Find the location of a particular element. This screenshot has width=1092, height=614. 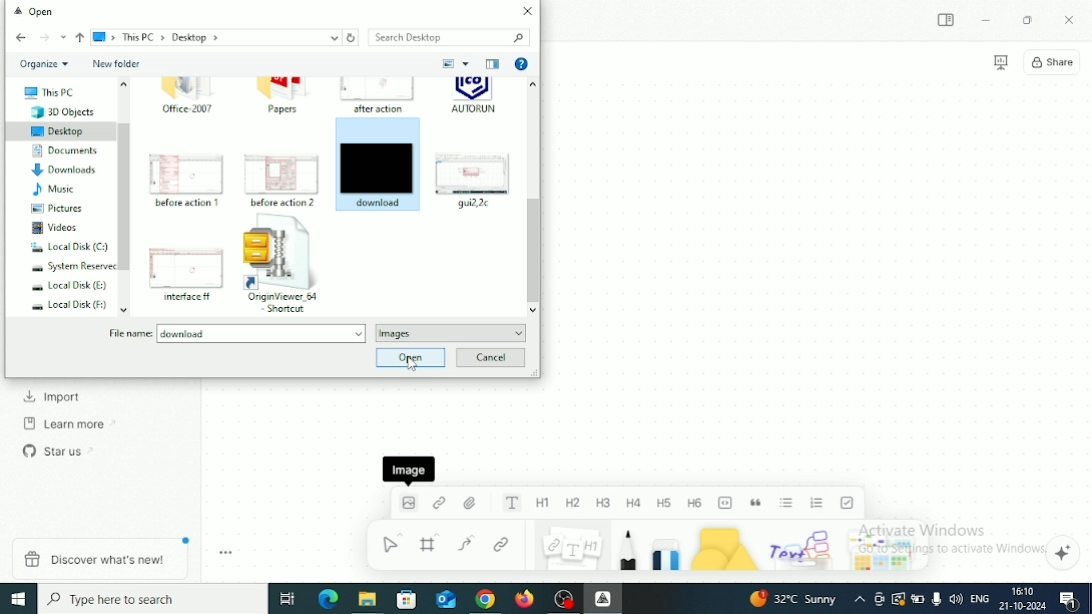

Task View is located at coordinates (287, 599).